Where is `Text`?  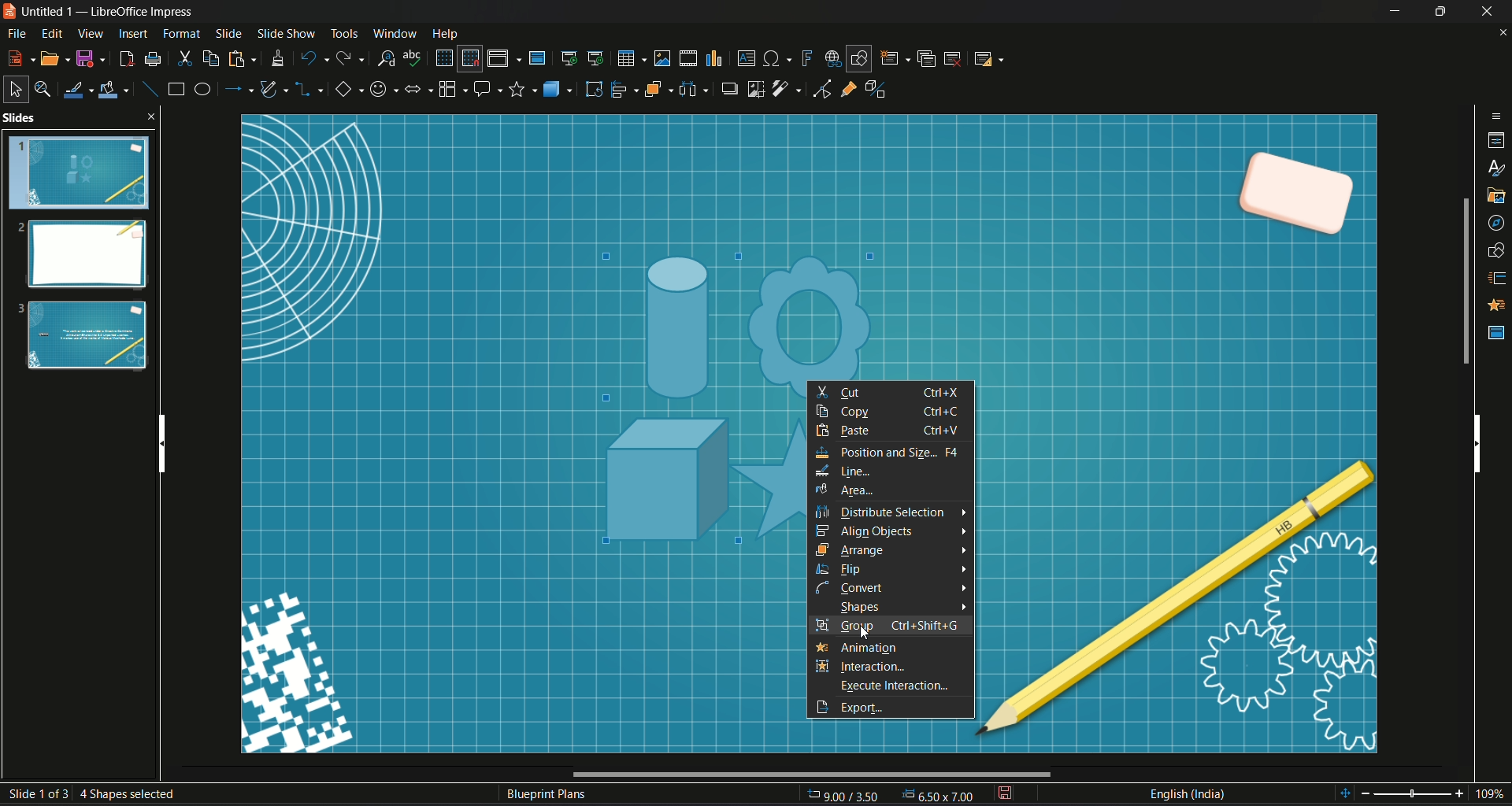
Text is located at coordinates (547, 796).